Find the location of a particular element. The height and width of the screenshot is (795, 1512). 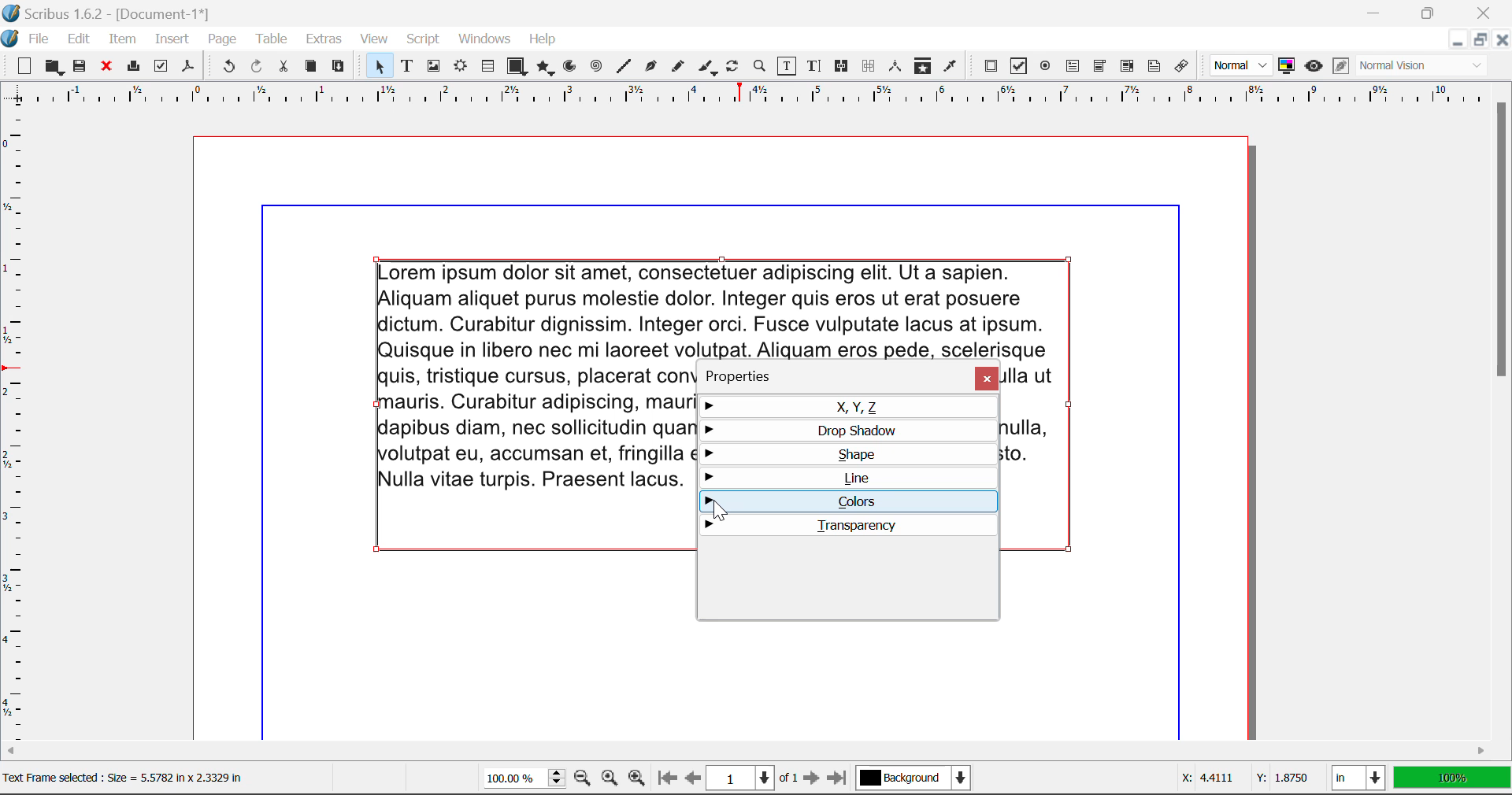

Restore Down is located at coordinates (1376, 11).